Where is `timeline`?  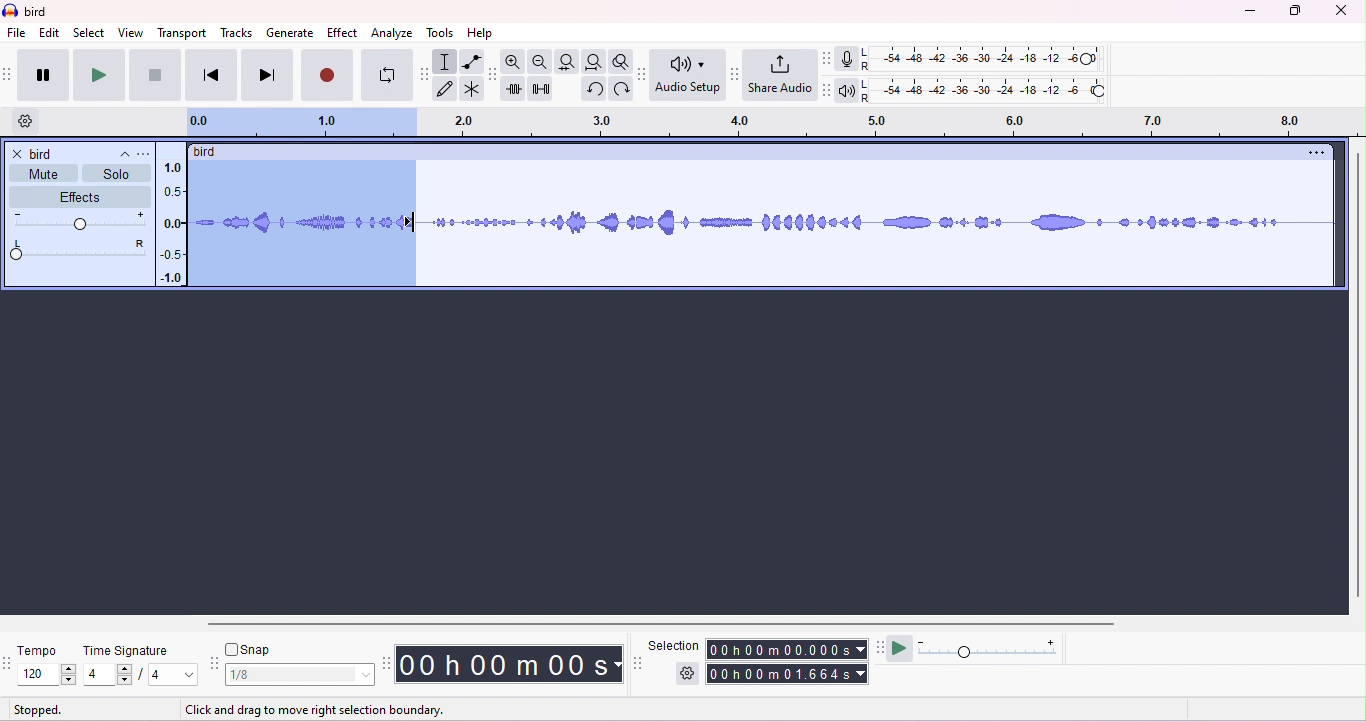 timeline is located at coordinates (768, 121).